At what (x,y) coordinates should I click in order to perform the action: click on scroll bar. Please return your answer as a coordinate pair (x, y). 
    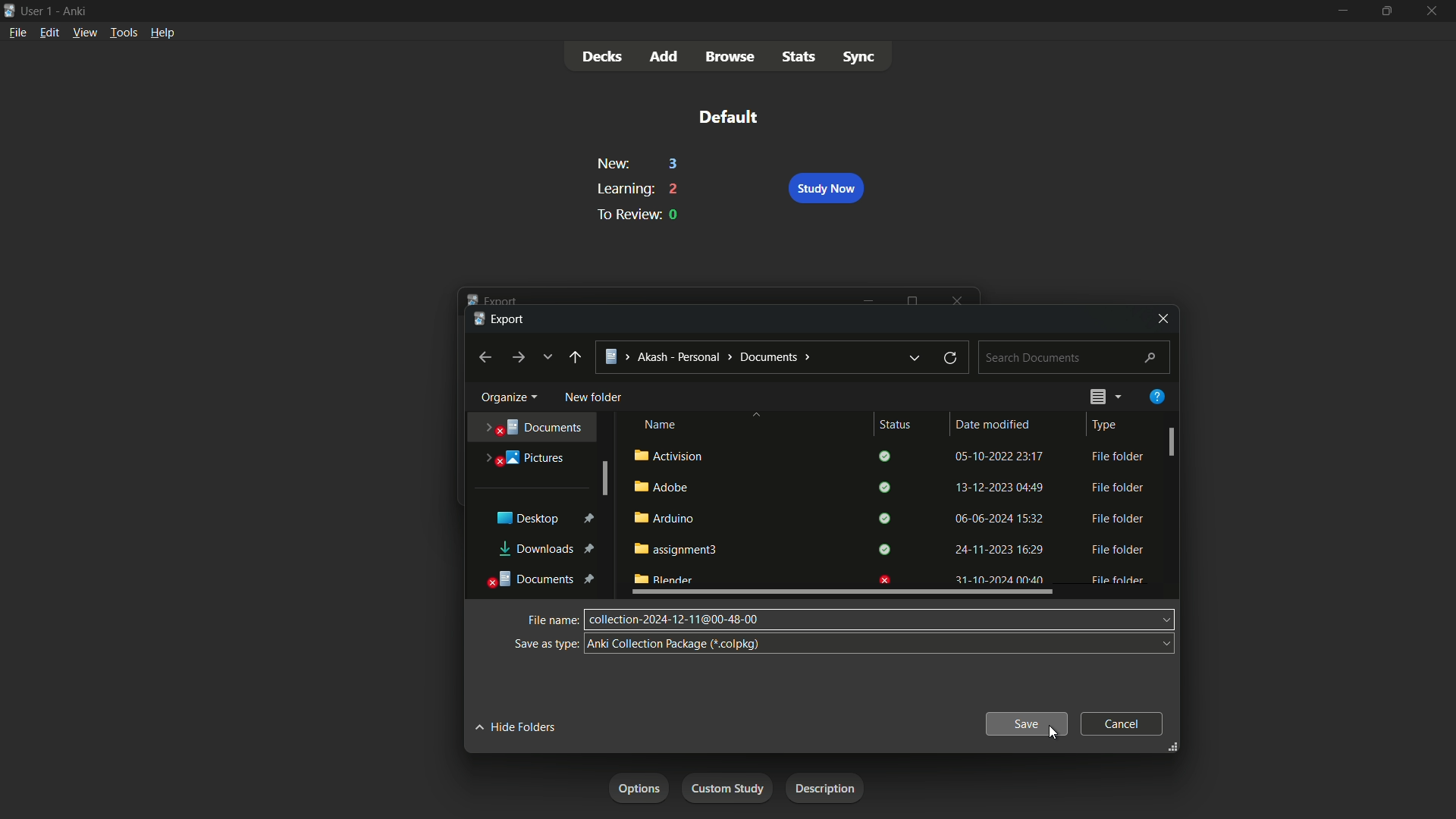
    Looking at the image, I should click on (1172, 441).